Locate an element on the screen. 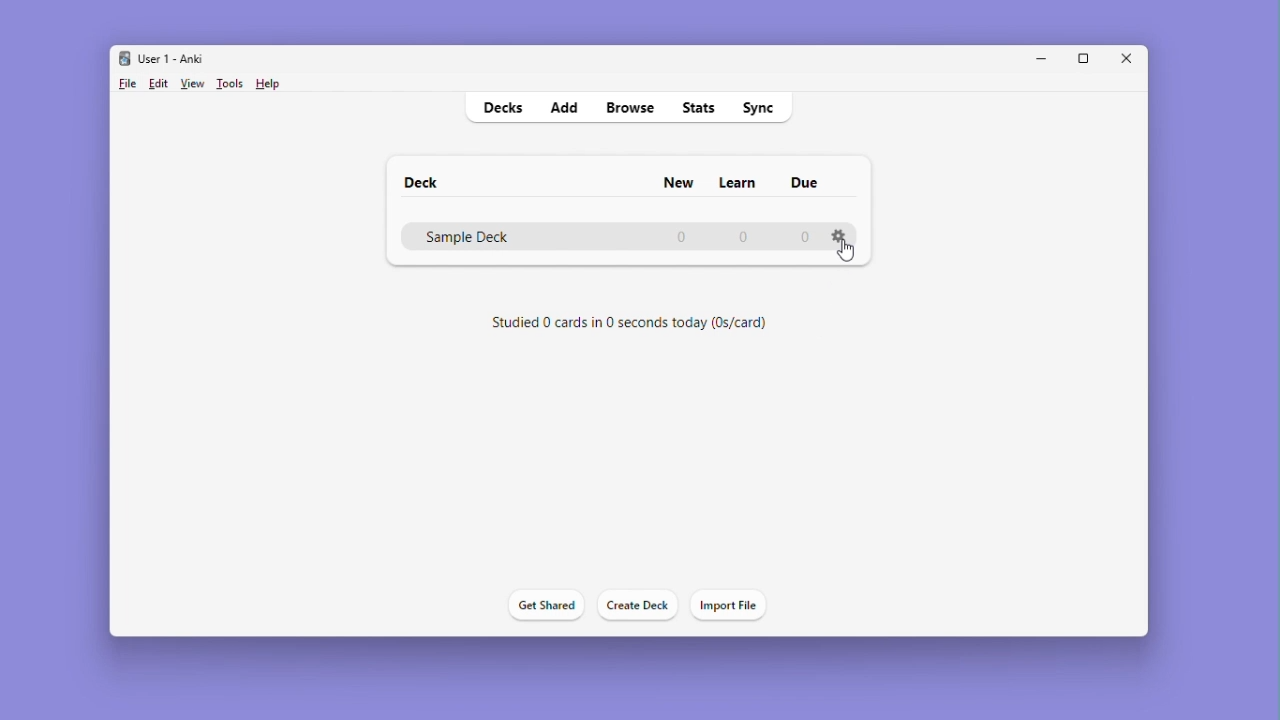 The width and height of the screenshot is (1280, 720). Learn  is located at coordinates (736, 183).